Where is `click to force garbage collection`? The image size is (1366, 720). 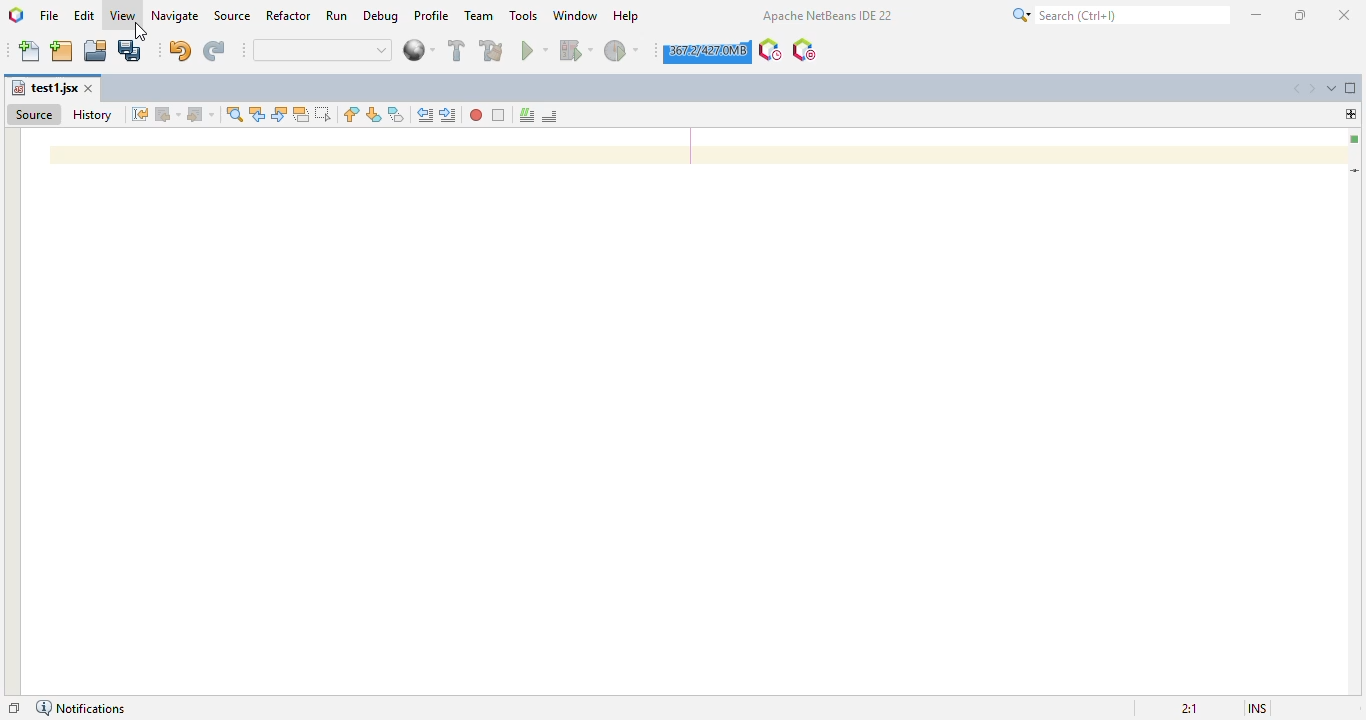 click to force garbage collection is located at coordinates (707, 51).